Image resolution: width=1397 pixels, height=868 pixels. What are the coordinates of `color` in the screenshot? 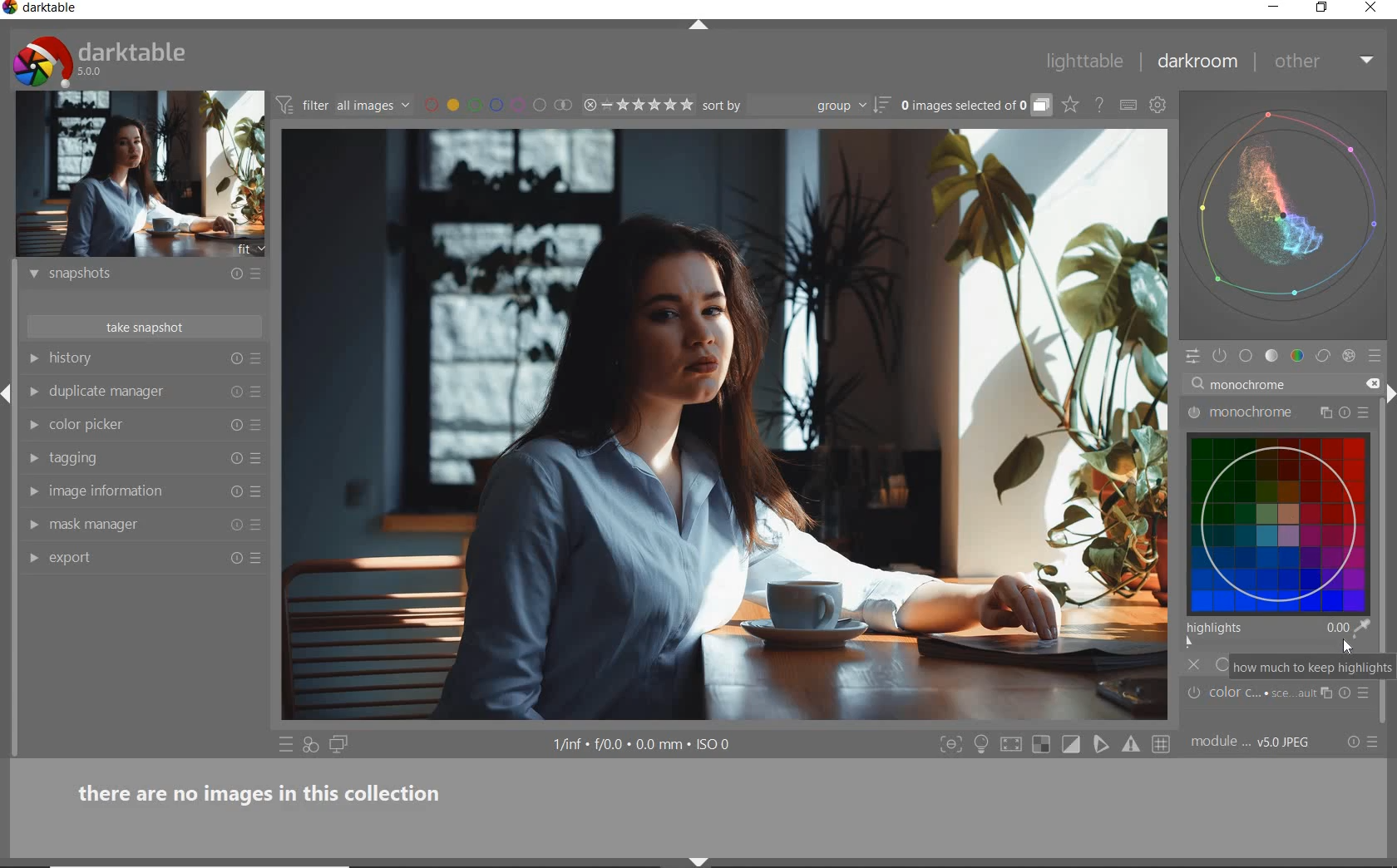 It's located at (1296, 357).